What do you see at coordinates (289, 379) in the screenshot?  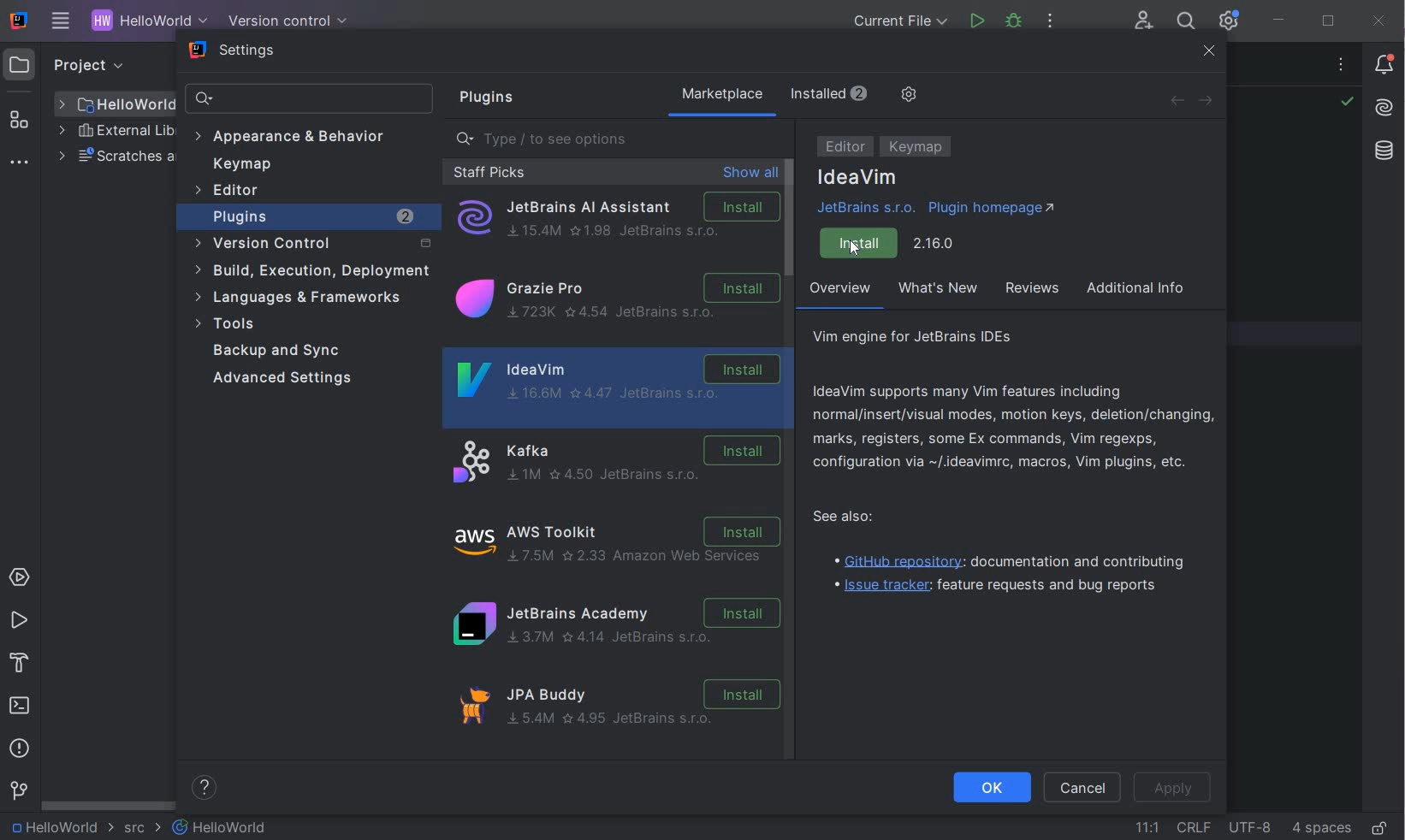 I see `advanced settings` at bounding box center [289, 379].